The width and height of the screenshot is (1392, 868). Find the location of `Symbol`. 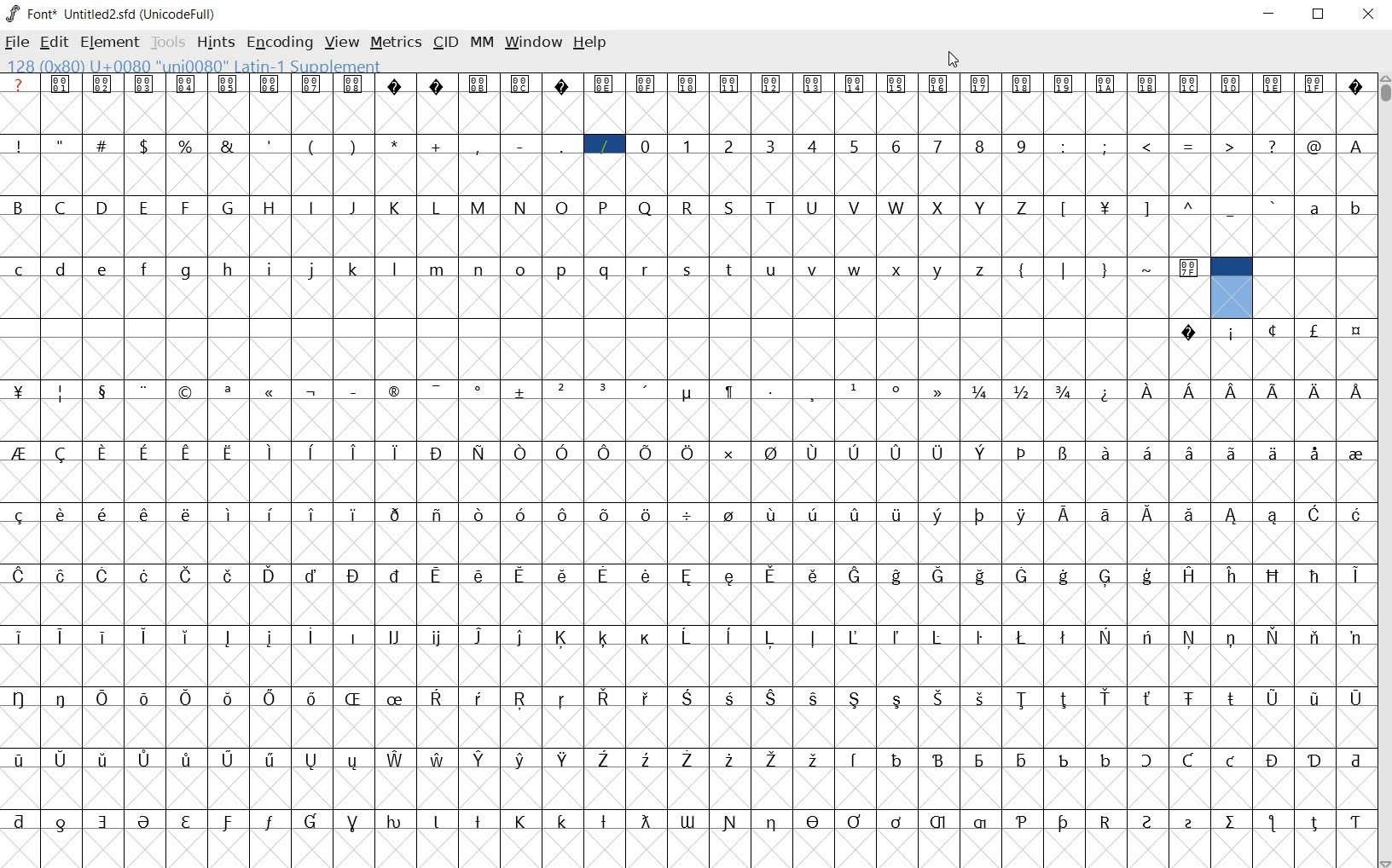

Symbol is located at coordinates (1149, 86).